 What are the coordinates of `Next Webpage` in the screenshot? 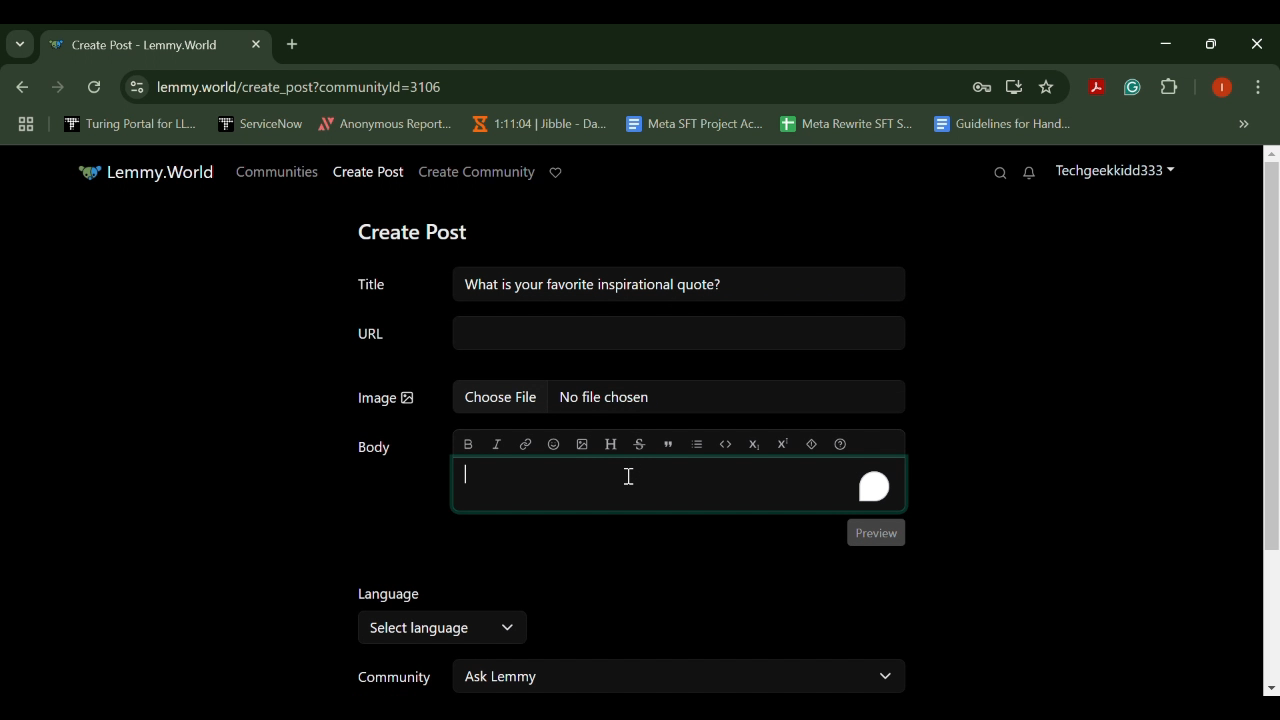 It's located at (58, 90).